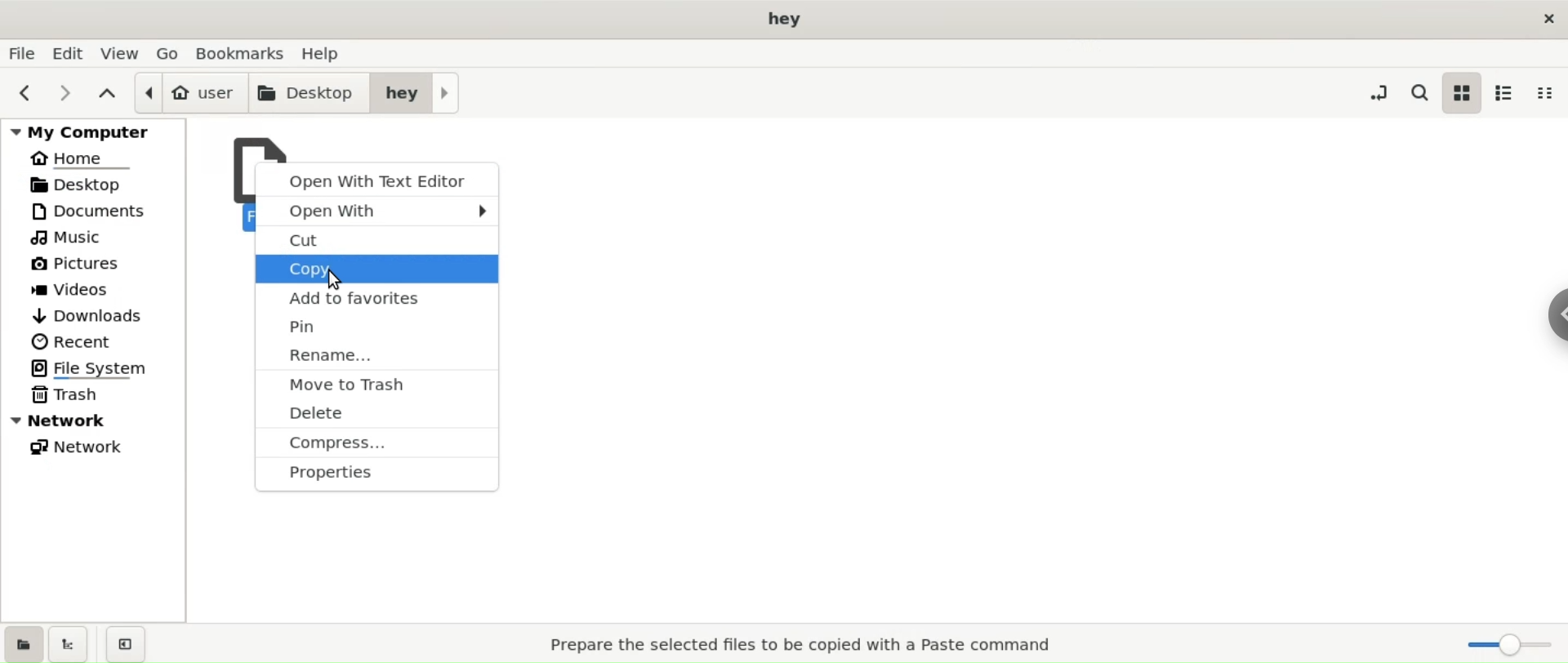 The height and width of the screenshot is (663, 1568). I want to click on my computer, so click(94, 132).